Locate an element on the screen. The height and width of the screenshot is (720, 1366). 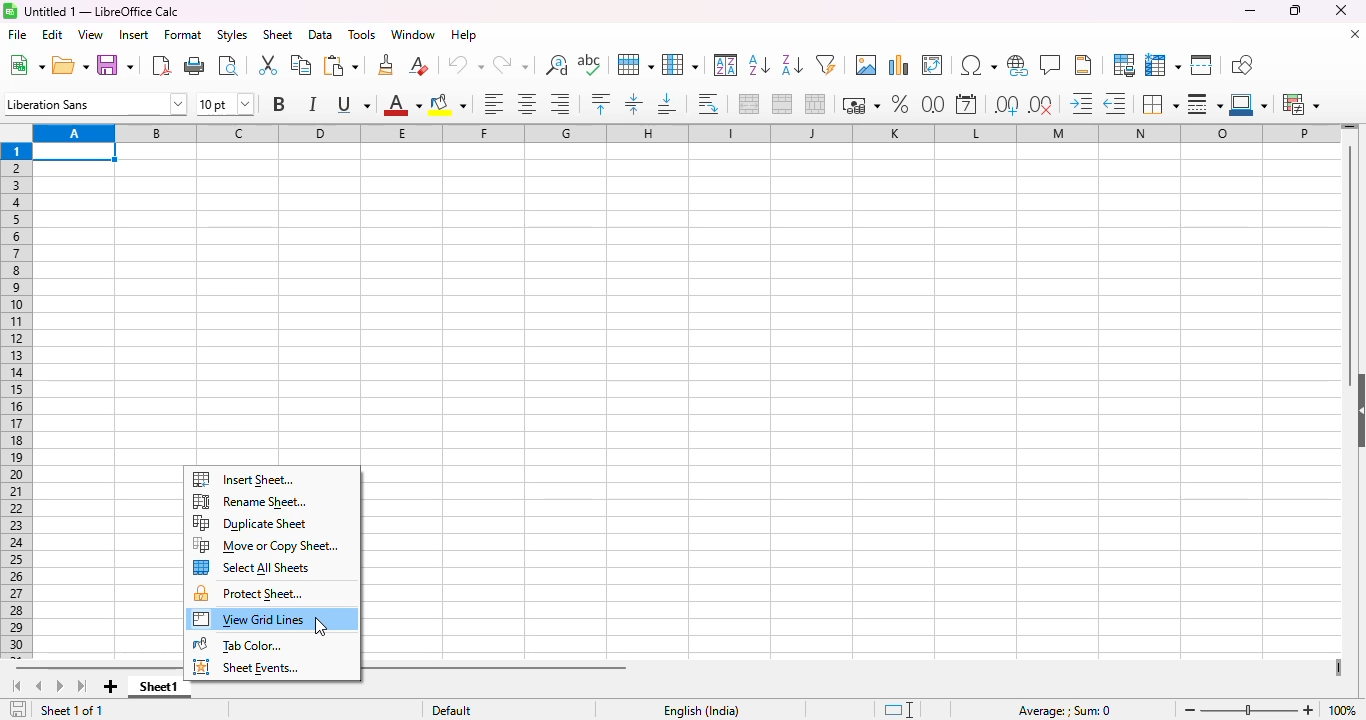
view grid lines is located at coordinates (249, 619).